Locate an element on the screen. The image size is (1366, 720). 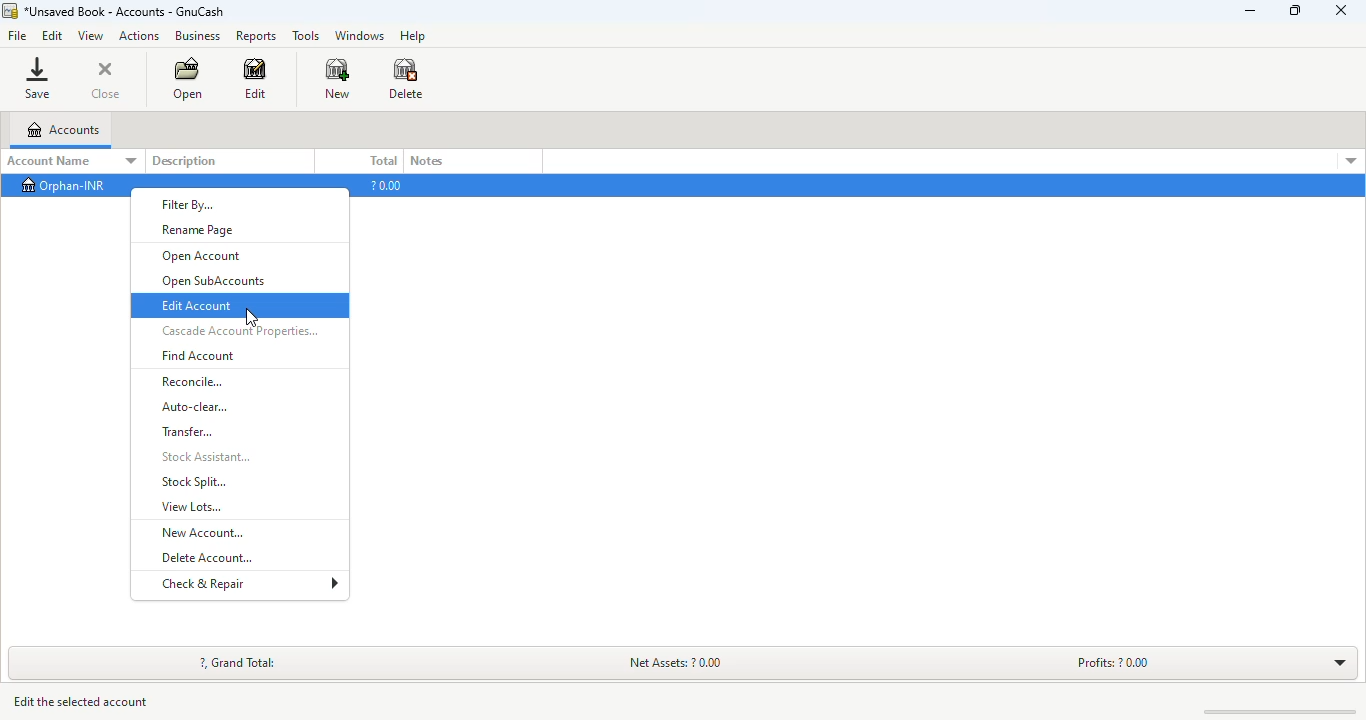
?, grand total:  is located at coordinates (238, 663).